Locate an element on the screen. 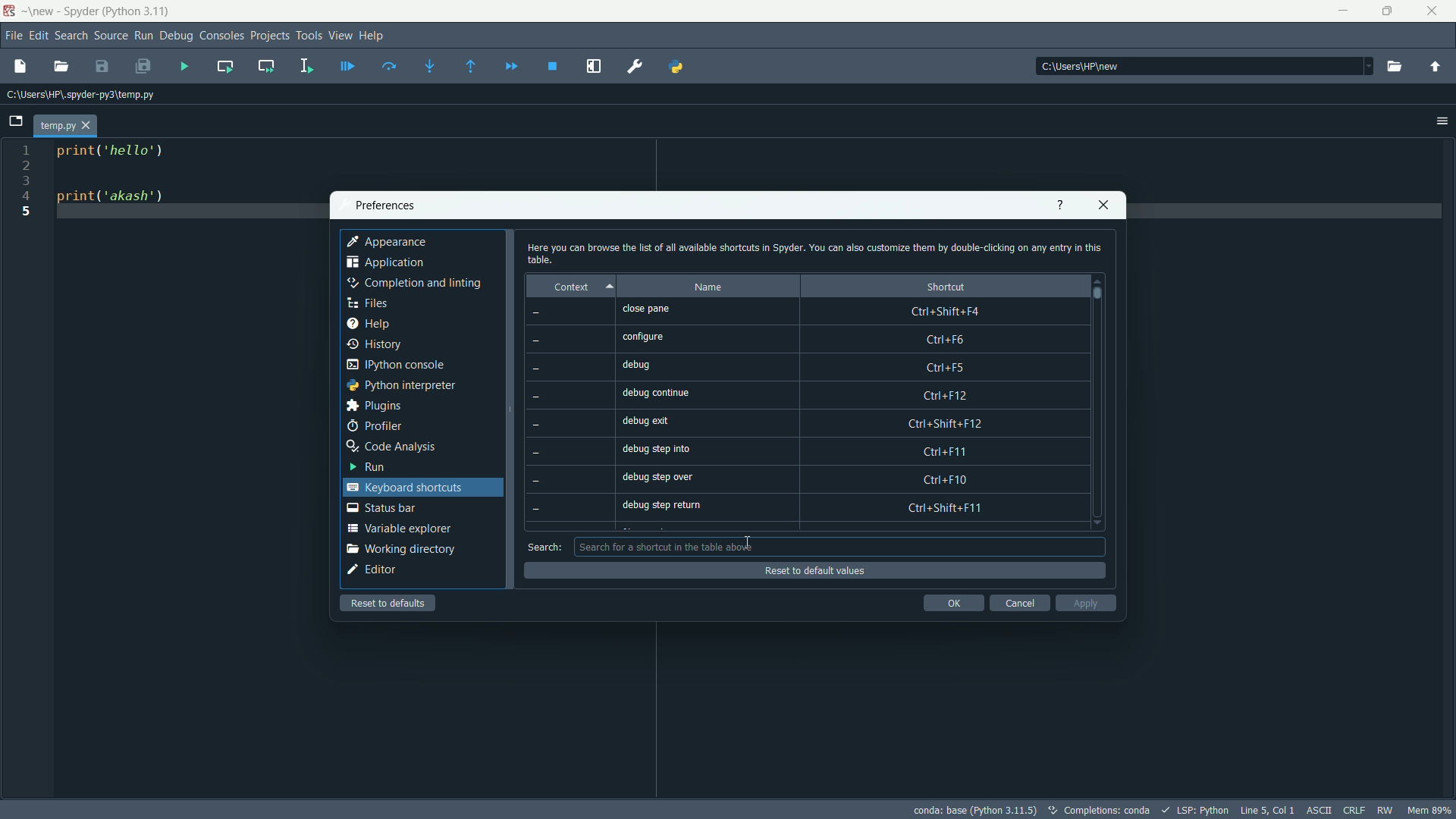  plugins is located at coordinates (375, 406).